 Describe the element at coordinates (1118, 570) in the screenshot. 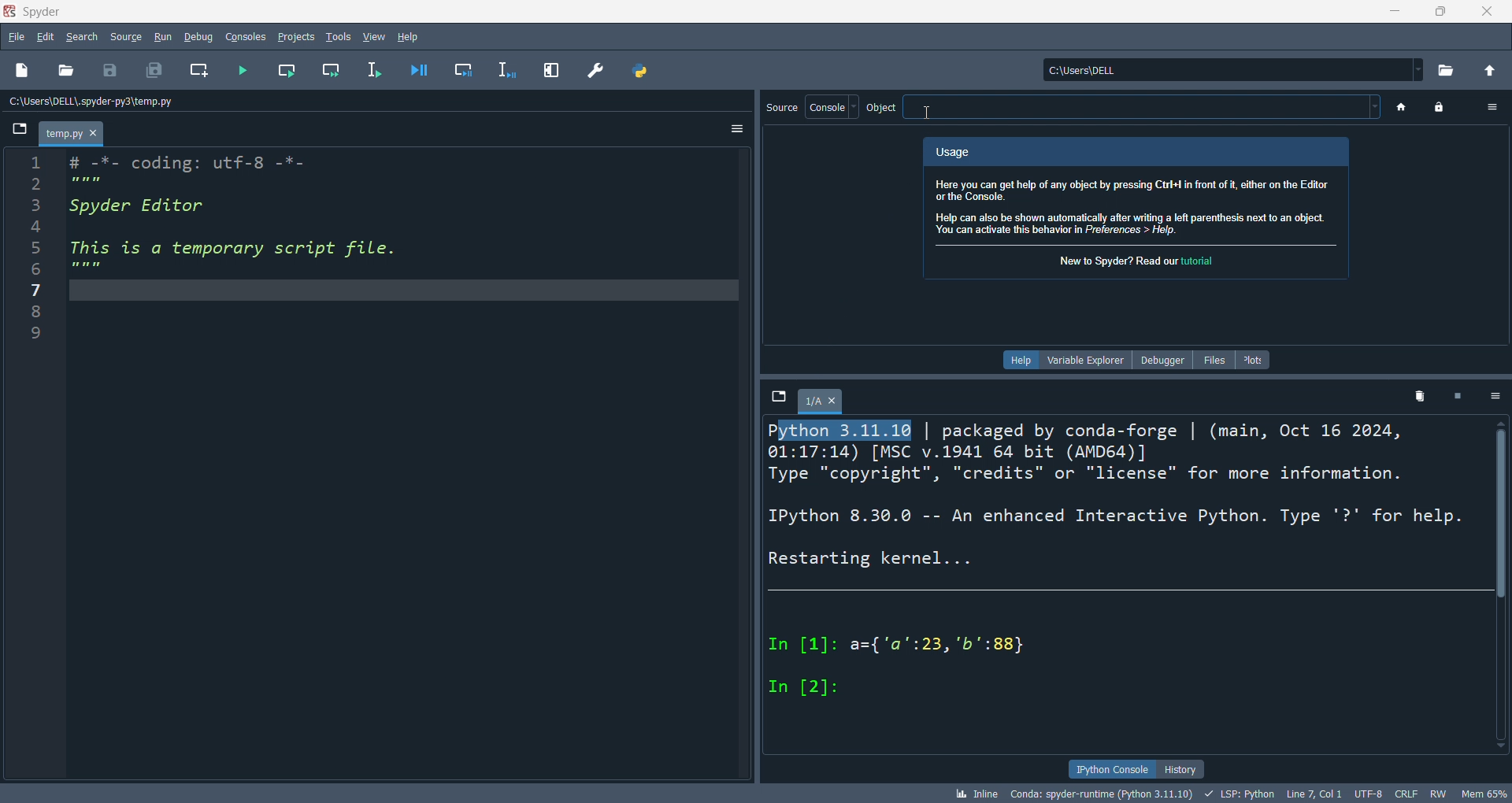

I see `Python 3:11:16 | packaged by conda-forge | (main, Oct 16 2024,
01:17:14) [MSC v.1941 64 bit (AMD64)]

Type "copyright", "credits" or "license" for more information.
IPython 8.30.0 -- An enhanced Interactive Python. Type '?' for help.
Restarting kernel...

In [1]: a={'a':23, 'b':88}

In [2]:` at that location.